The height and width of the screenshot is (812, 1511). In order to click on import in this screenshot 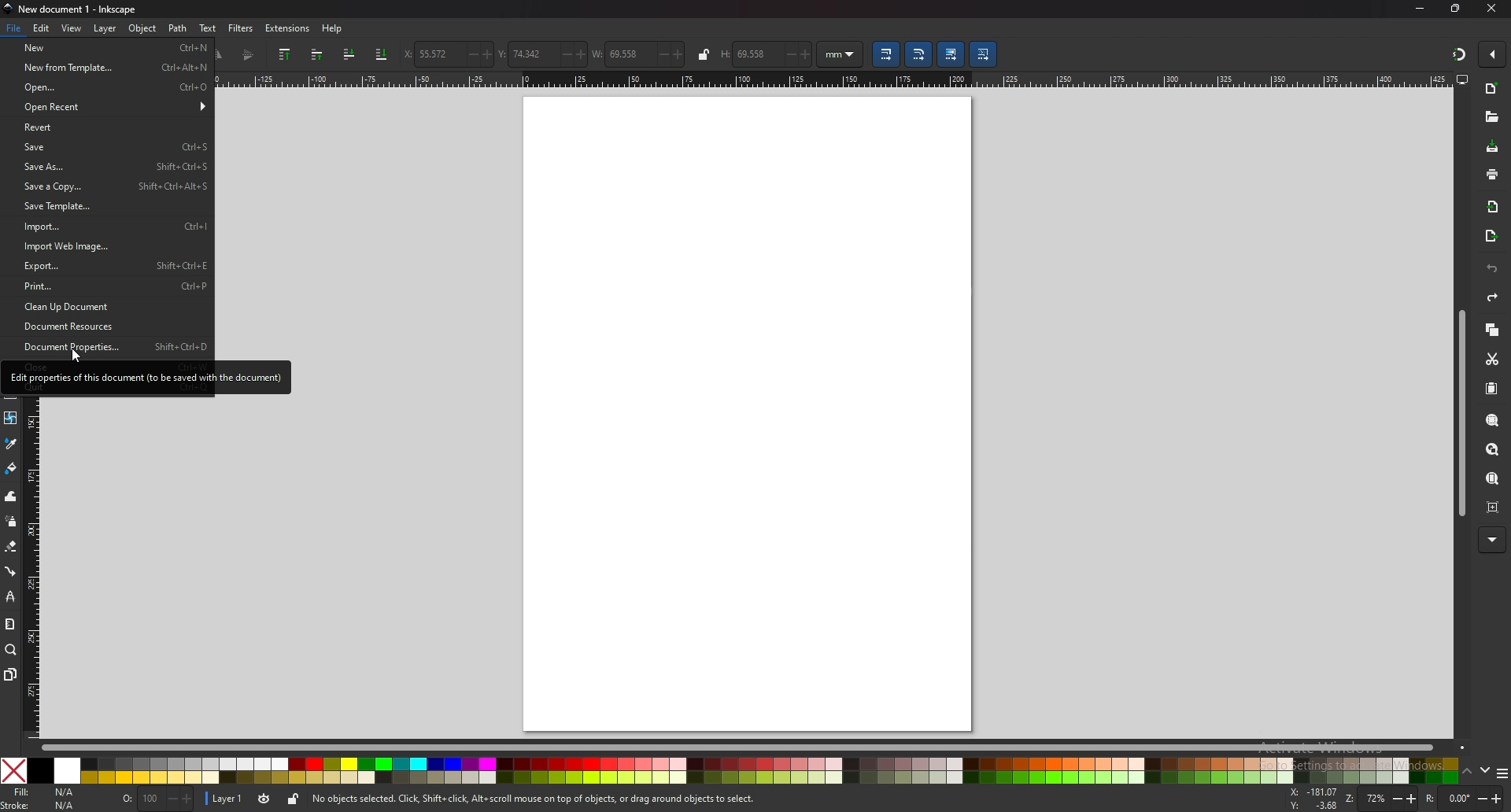, I will do `click(110, 228)`.